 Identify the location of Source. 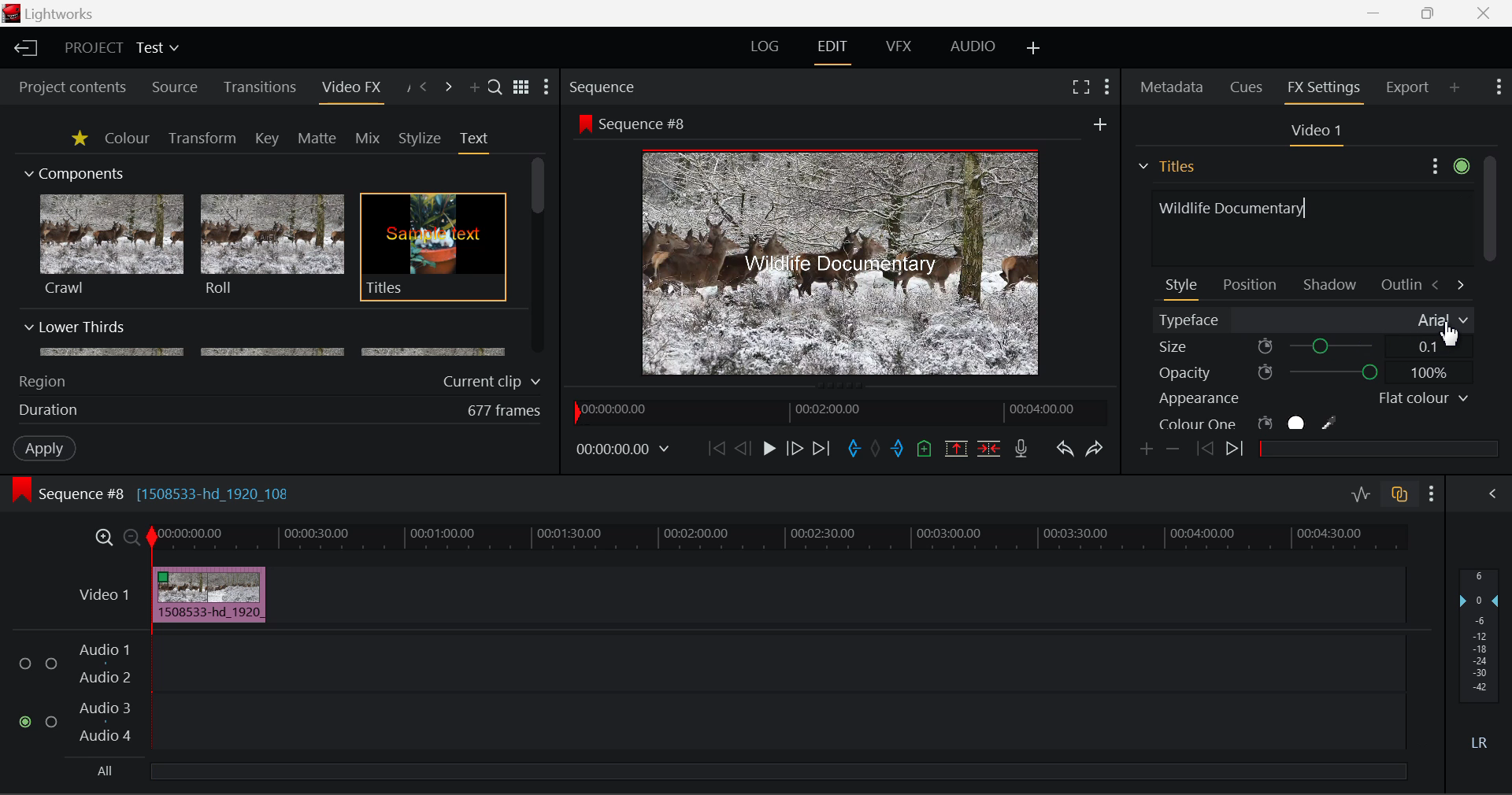
(175, 89).